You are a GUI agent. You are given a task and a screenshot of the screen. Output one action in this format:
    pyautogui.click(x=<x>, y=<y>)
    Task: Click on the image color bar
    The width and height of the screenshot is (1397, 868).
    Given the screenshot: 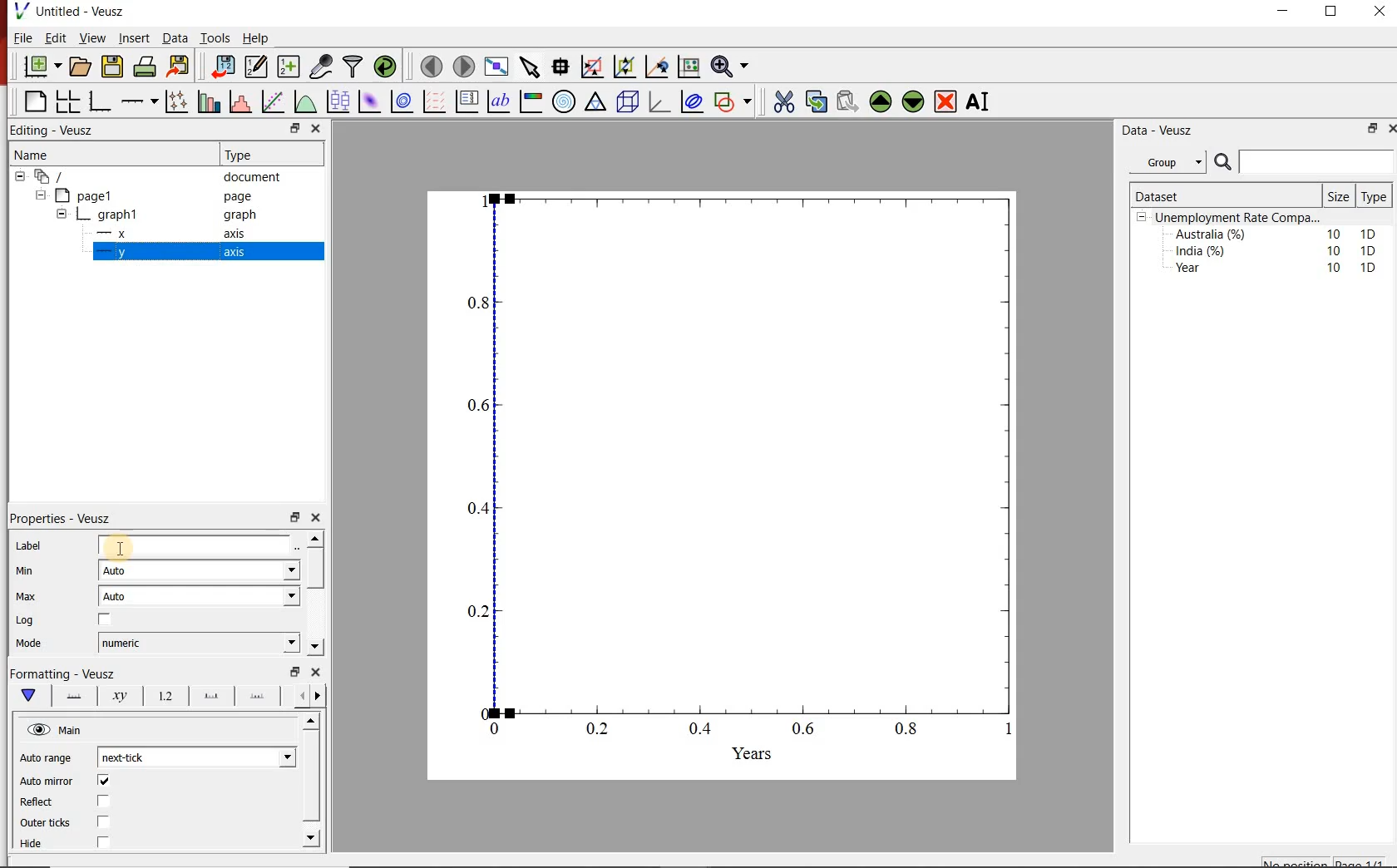 What is the action you would take?
    pyautogui.click(x=531, y=102)
    